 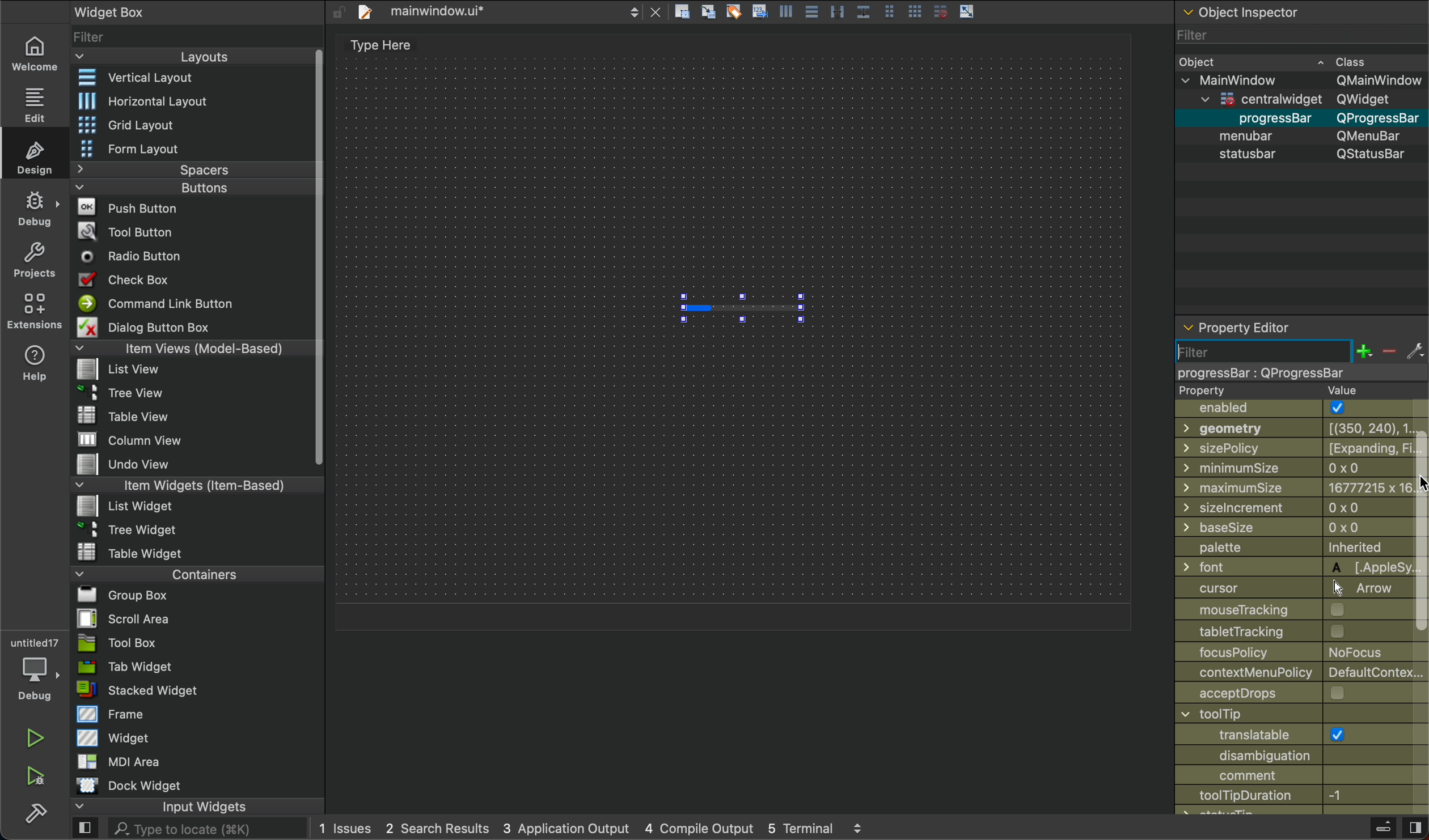 What do you see at coordinates (1240, 323) in the screenshot?
I see `property editor` at bounding box center [1240, 323].